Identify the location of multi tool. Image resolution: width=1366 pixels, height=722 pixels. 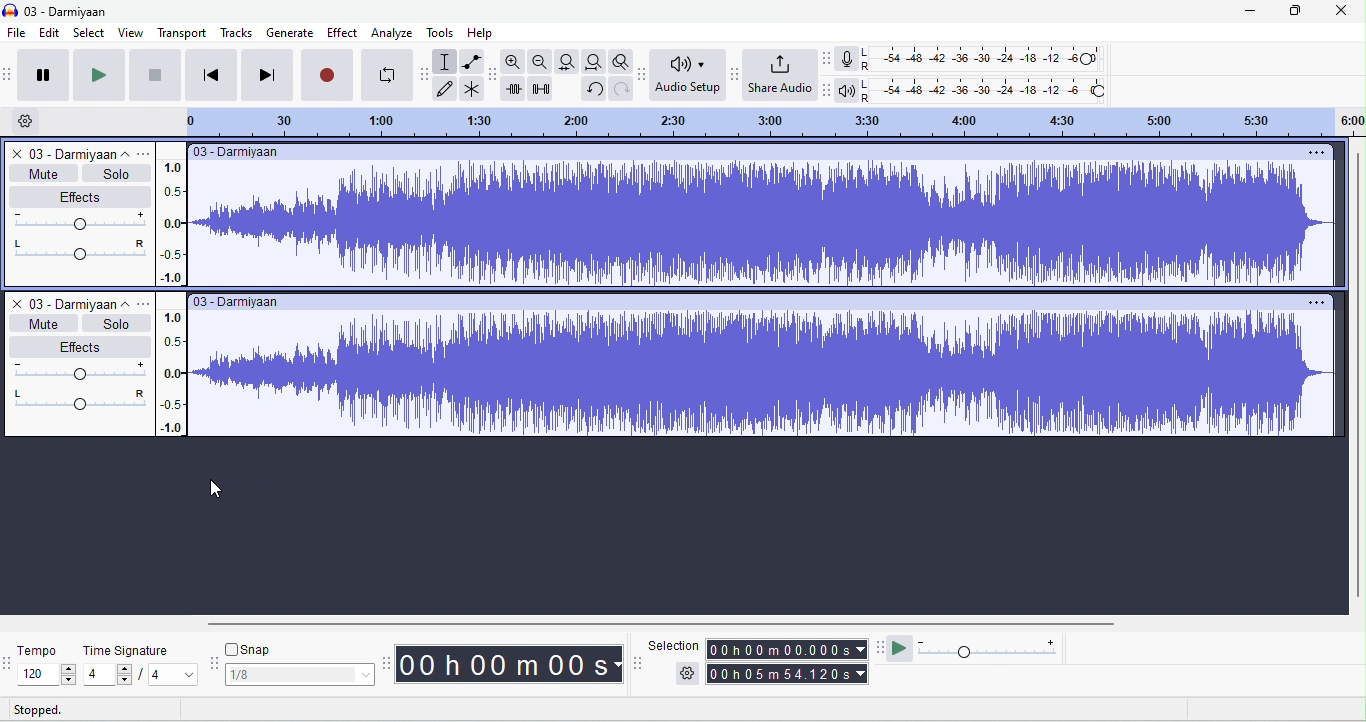
(470, 90).